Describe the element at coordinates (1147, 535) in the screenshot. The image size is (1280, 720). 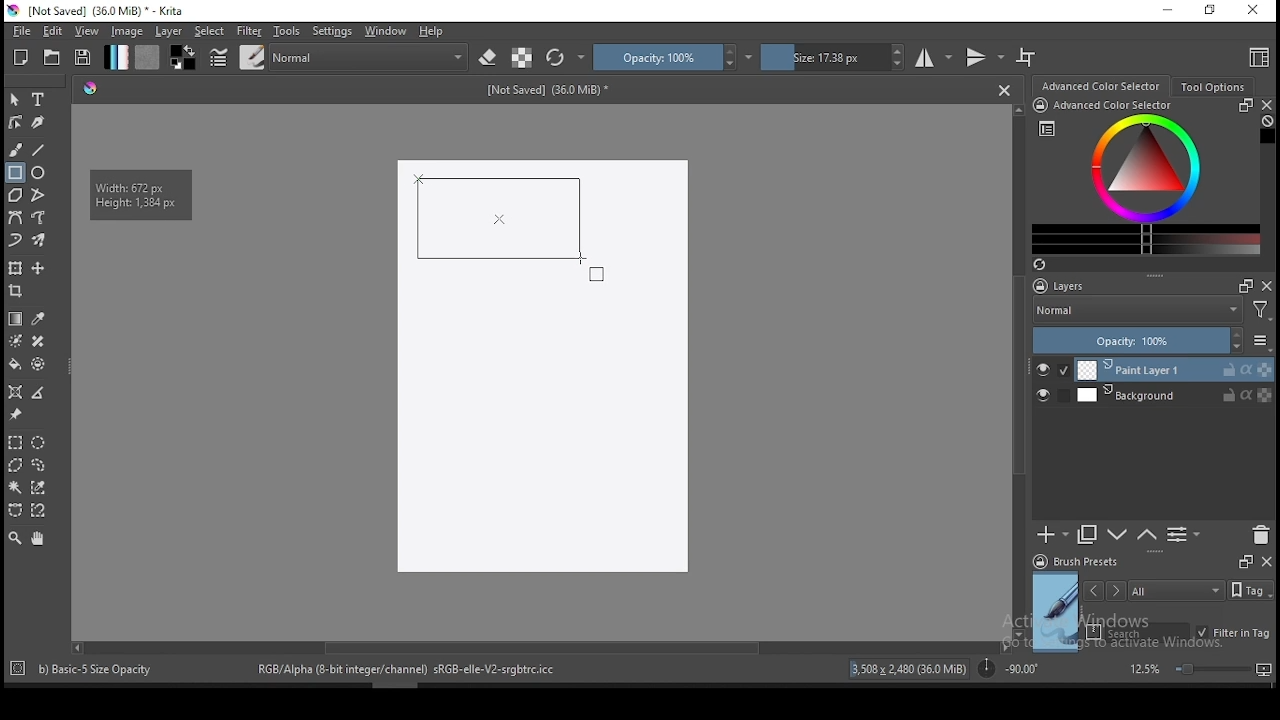
I see `move layer one step down` at that location.